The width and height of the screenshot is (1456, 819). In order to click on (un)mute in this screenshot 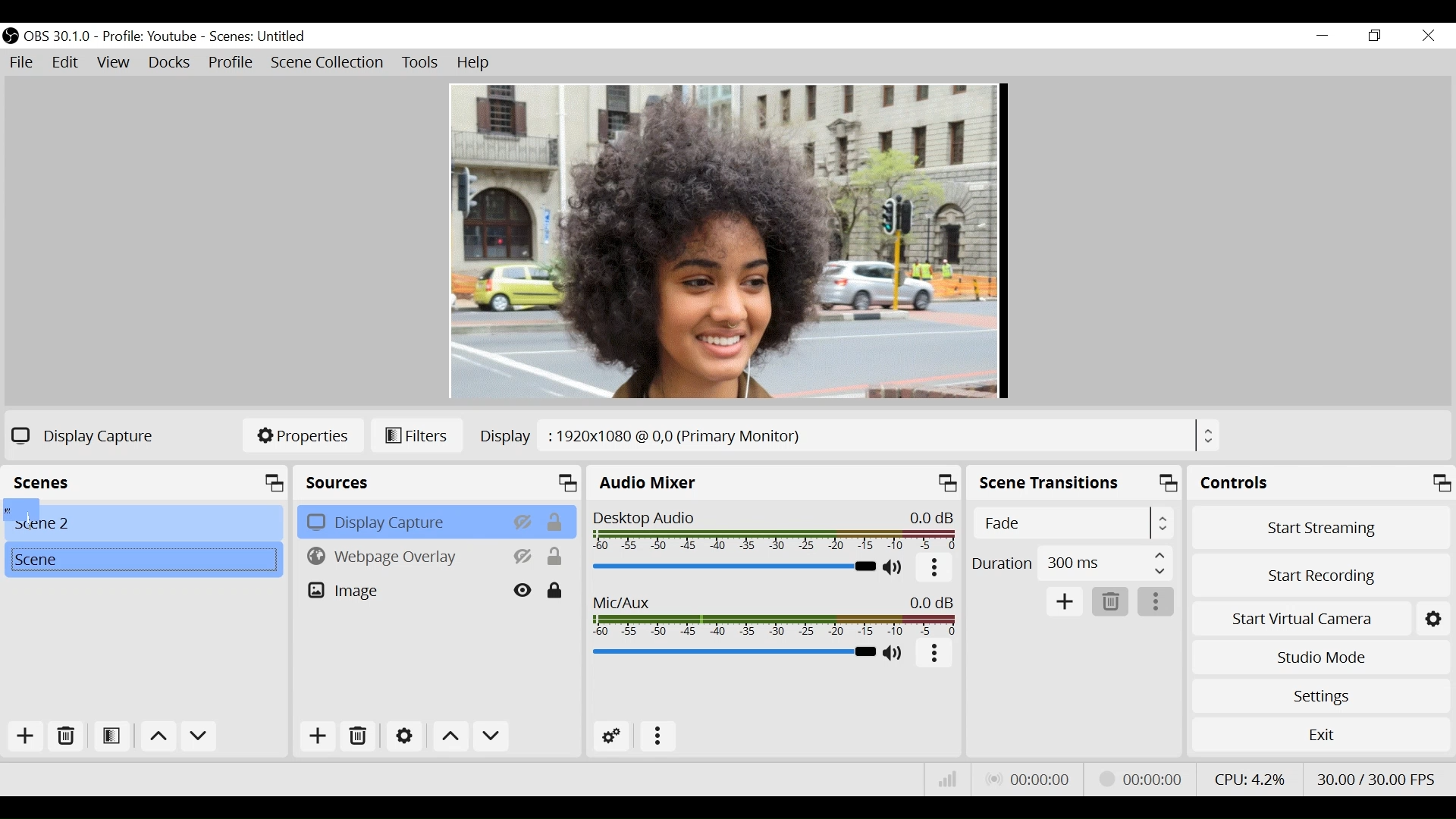, I will do `click(894, 653)`.